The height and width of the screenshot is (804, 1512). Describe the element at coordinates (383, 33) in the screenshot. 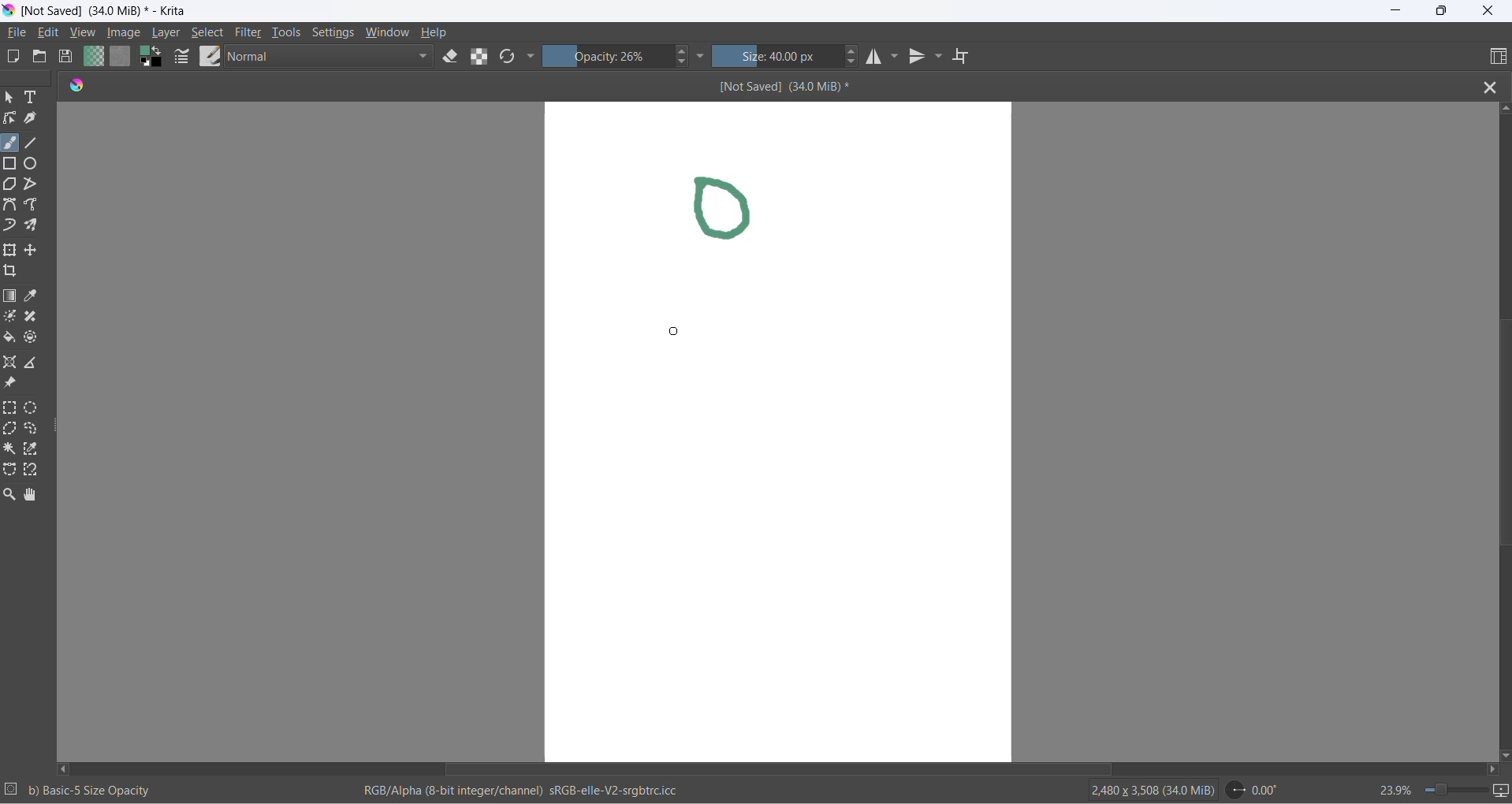

I see `window` at that location.